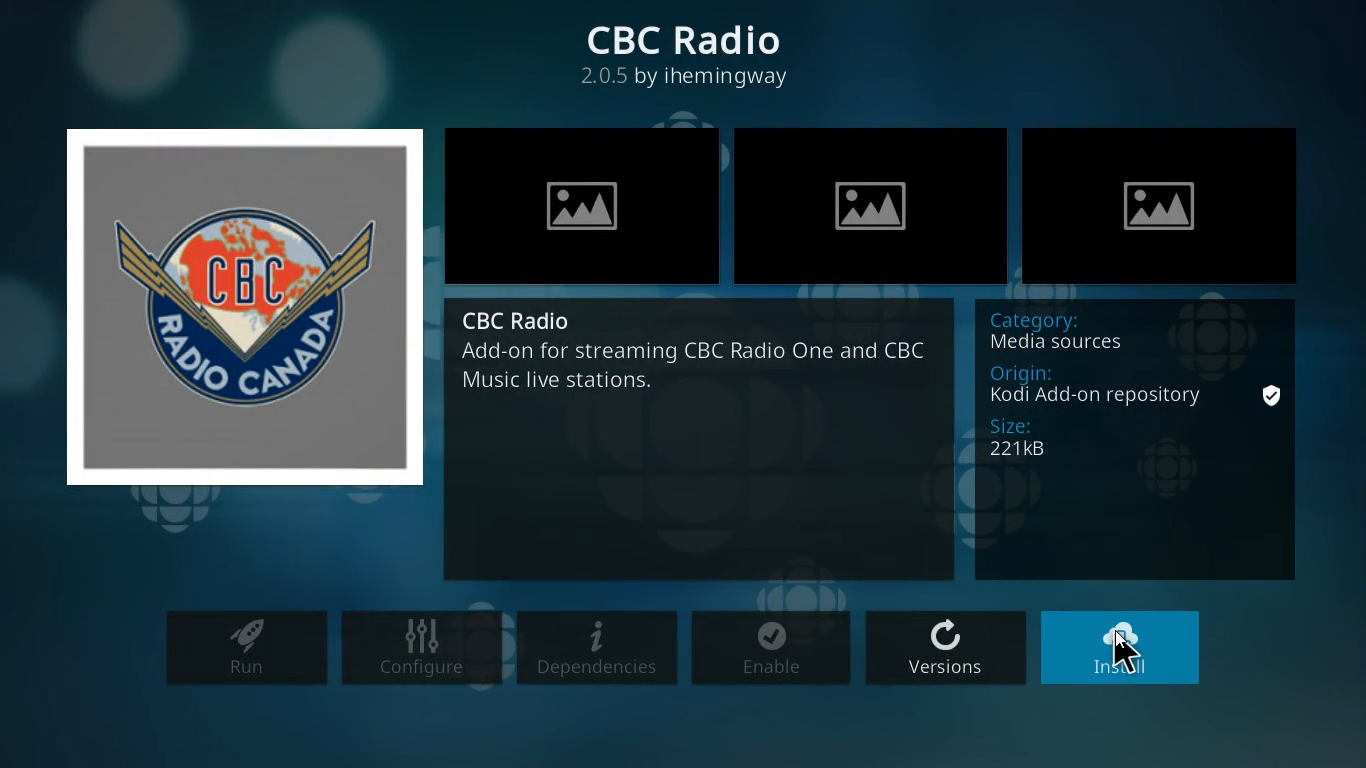 The image size is (1366, 768). Describe the element at coordinates (1125, 647) in the screenshot. I see `install` at that location.